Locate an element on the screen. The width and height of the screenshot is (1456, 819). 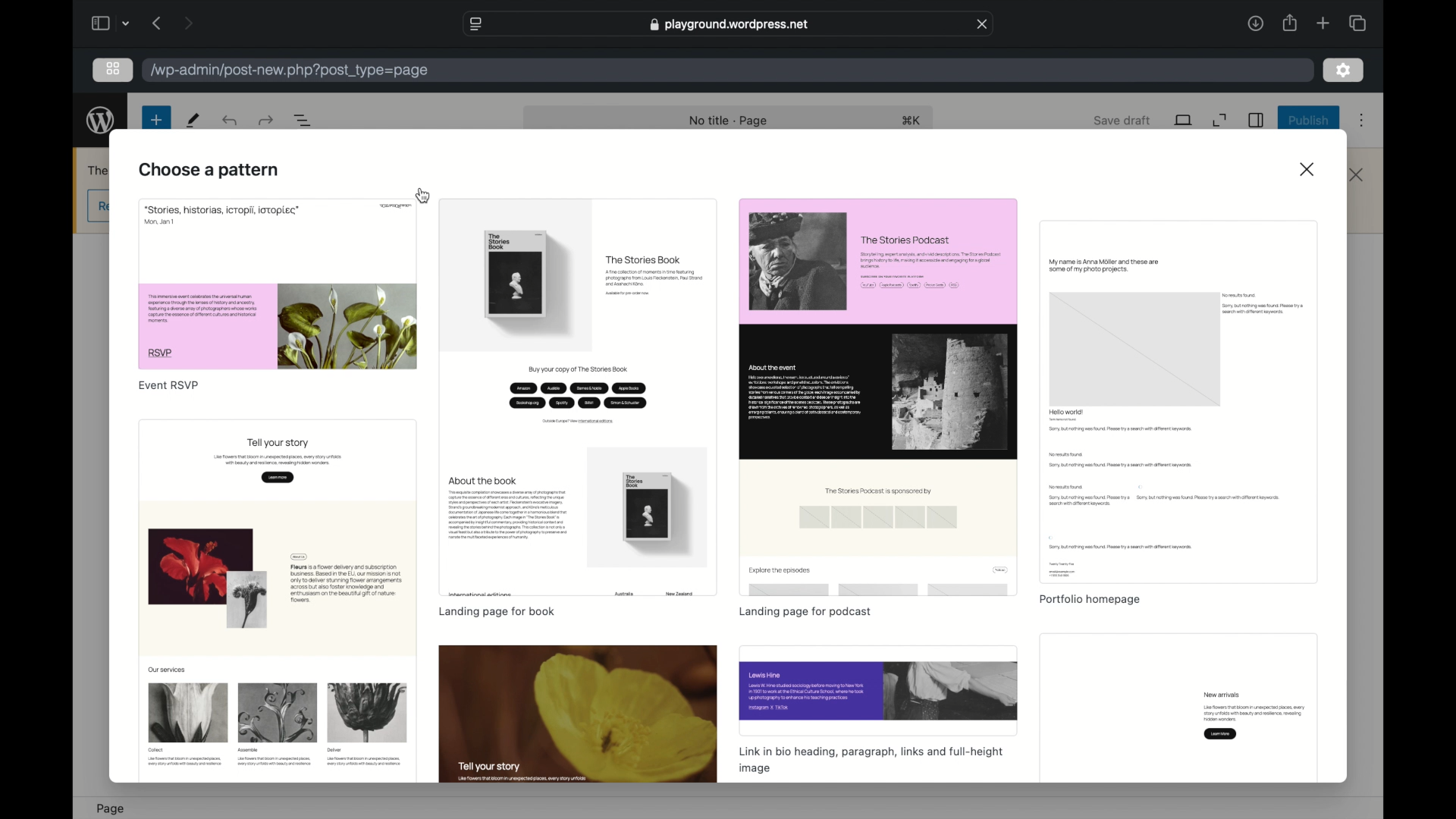
cursor is located at coordinates (425, 196).